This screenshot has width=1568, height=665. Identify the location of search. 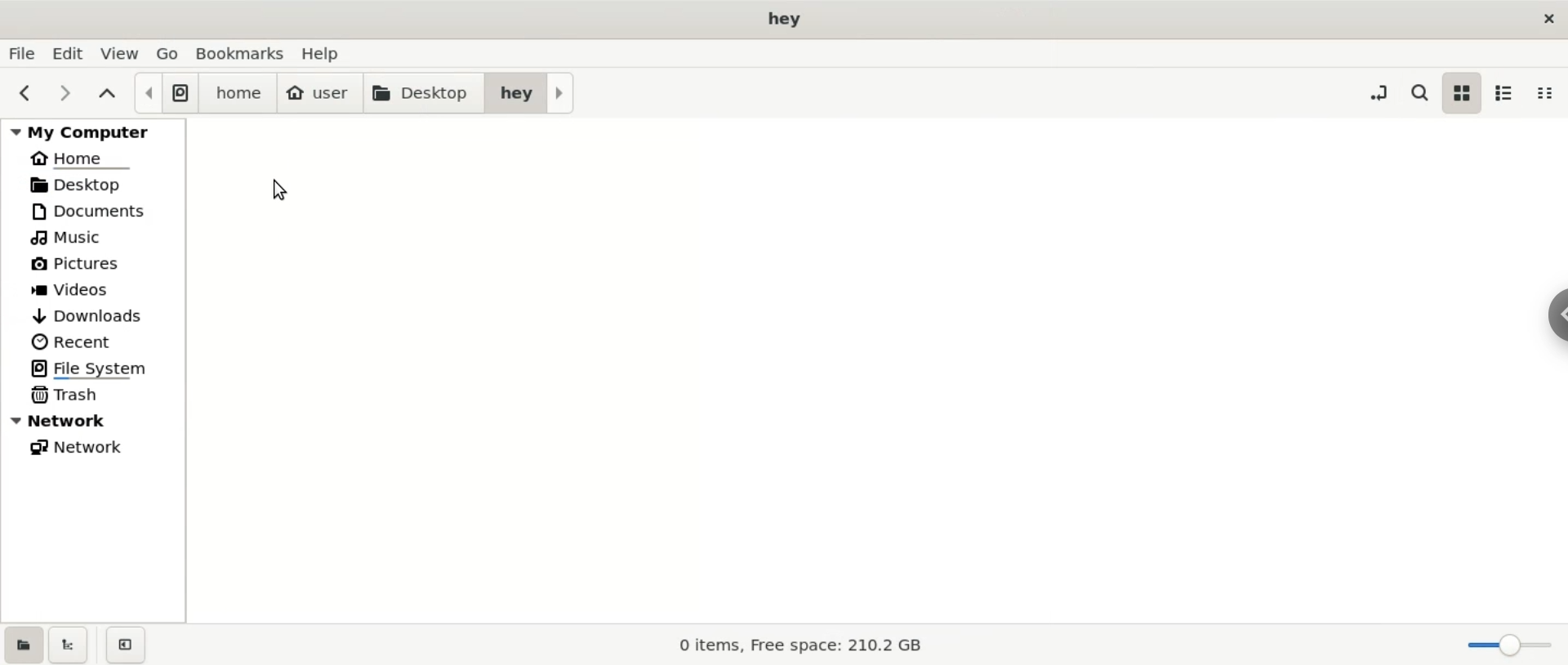
(1418, 90).